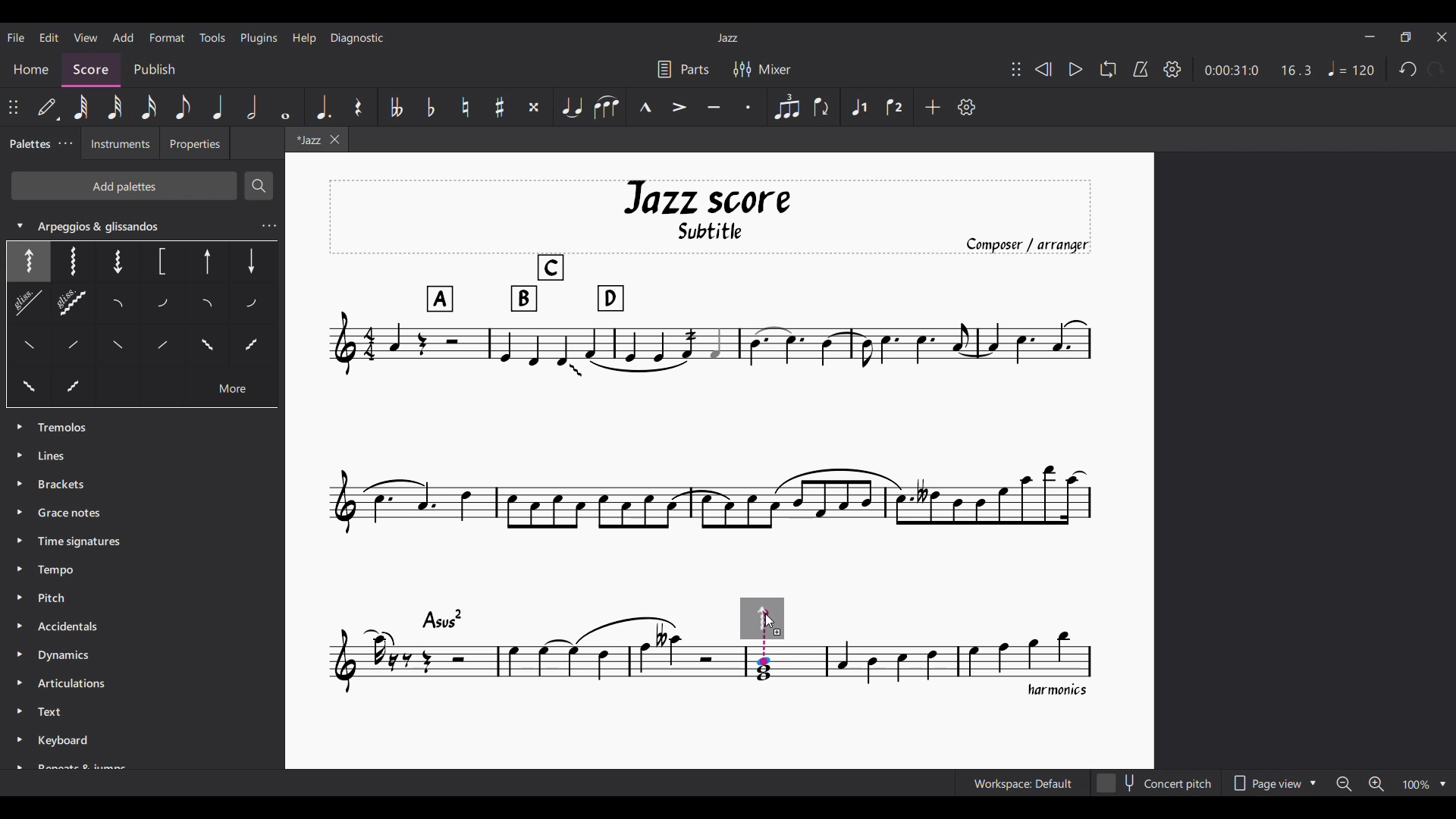 The height and width of the screenshot is (819, 1456). Describe the element at coordinates (259, 39) in the screenshot. I see `Plugins menu` at that location.